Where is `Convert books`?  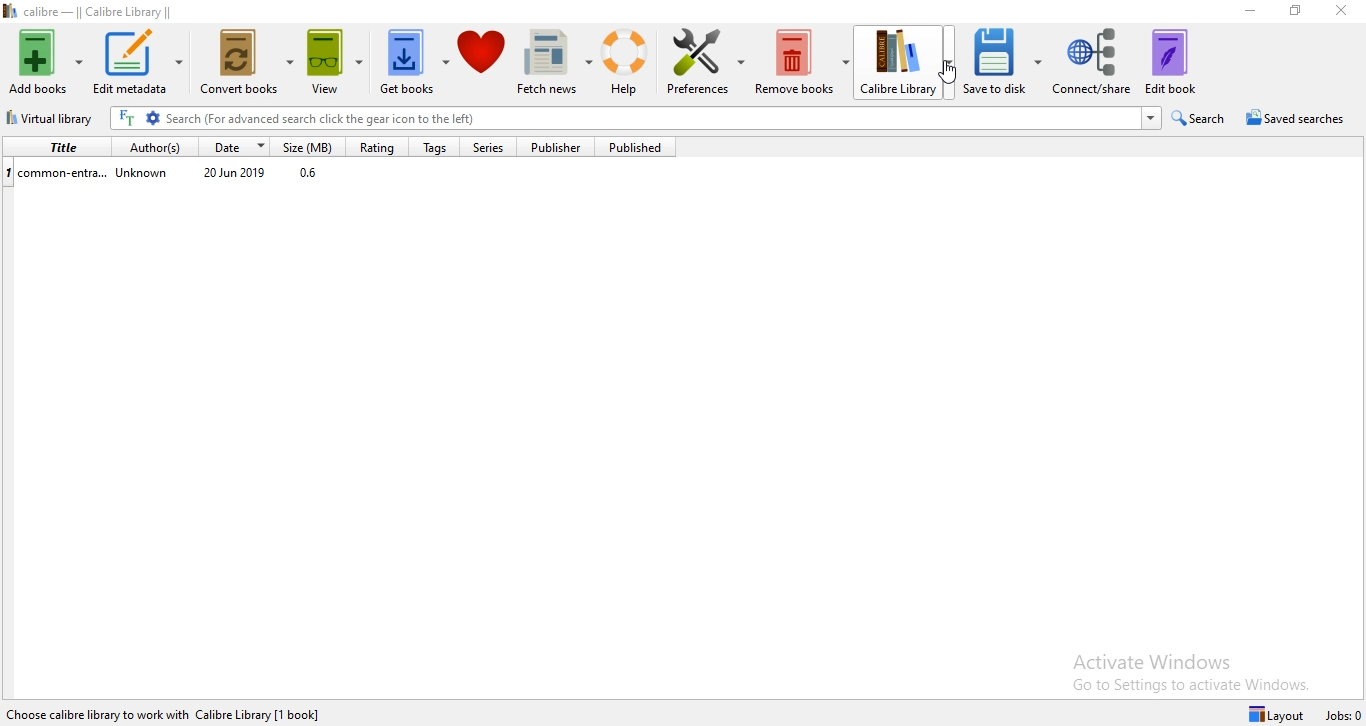 Convert books is located at coordinates (248, 66).